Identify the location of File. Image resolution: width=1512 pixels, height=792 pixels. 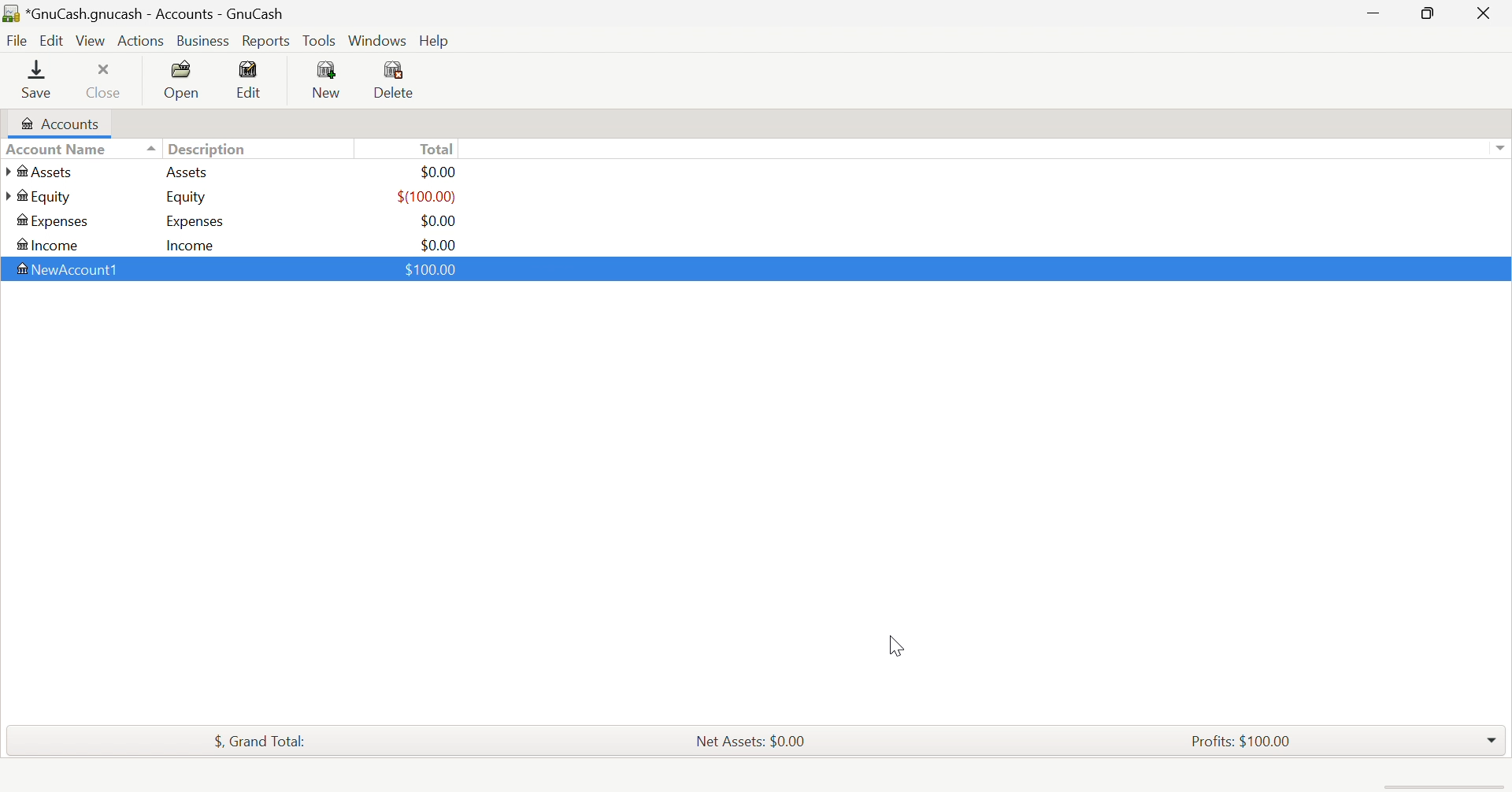
(17, 39).